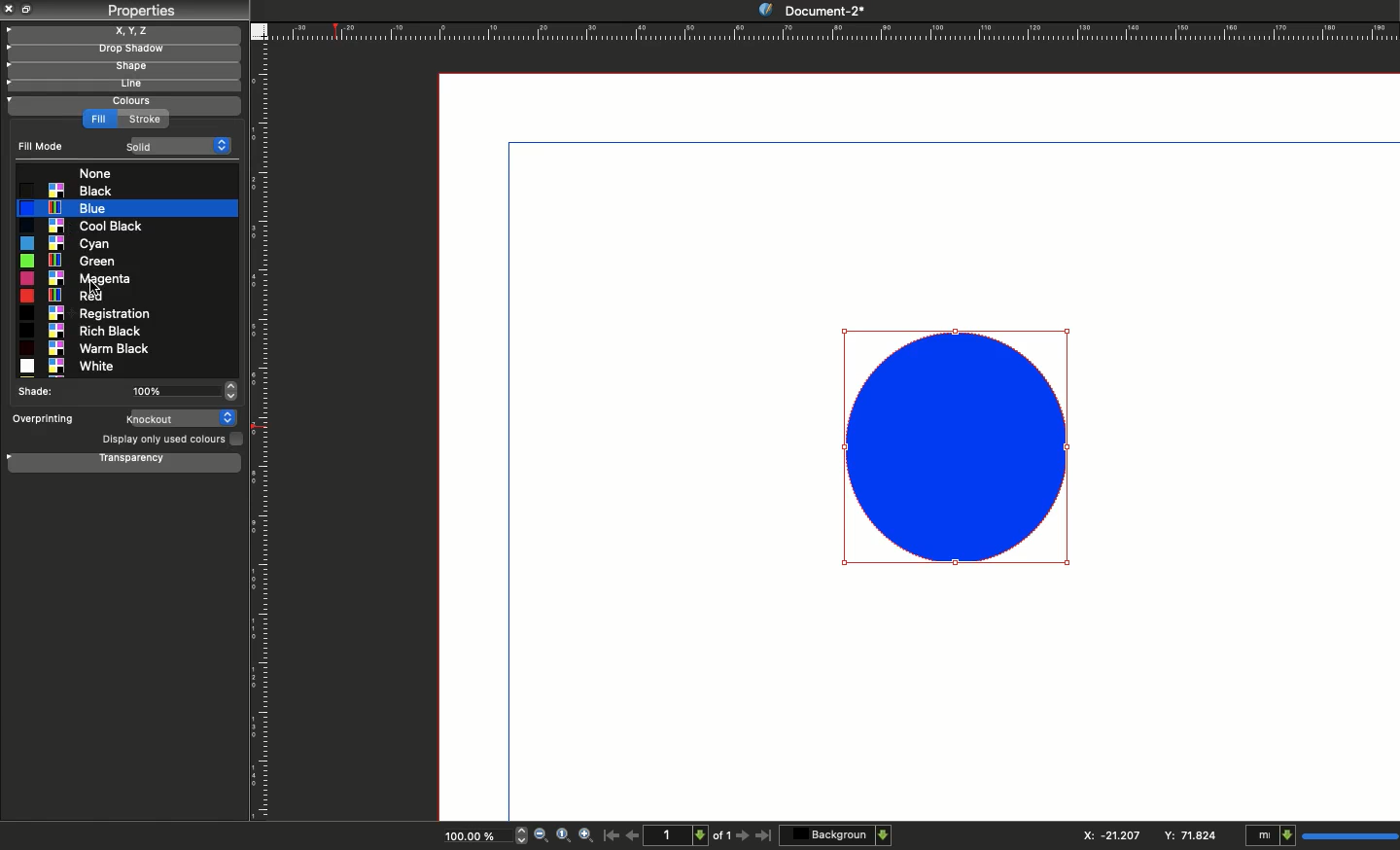 The height and width of the screenshot is (850, 1400). What do you see at coordinates (86, 330) in the screenshot?
I see `Rich black` at bounding box center [86, 330].